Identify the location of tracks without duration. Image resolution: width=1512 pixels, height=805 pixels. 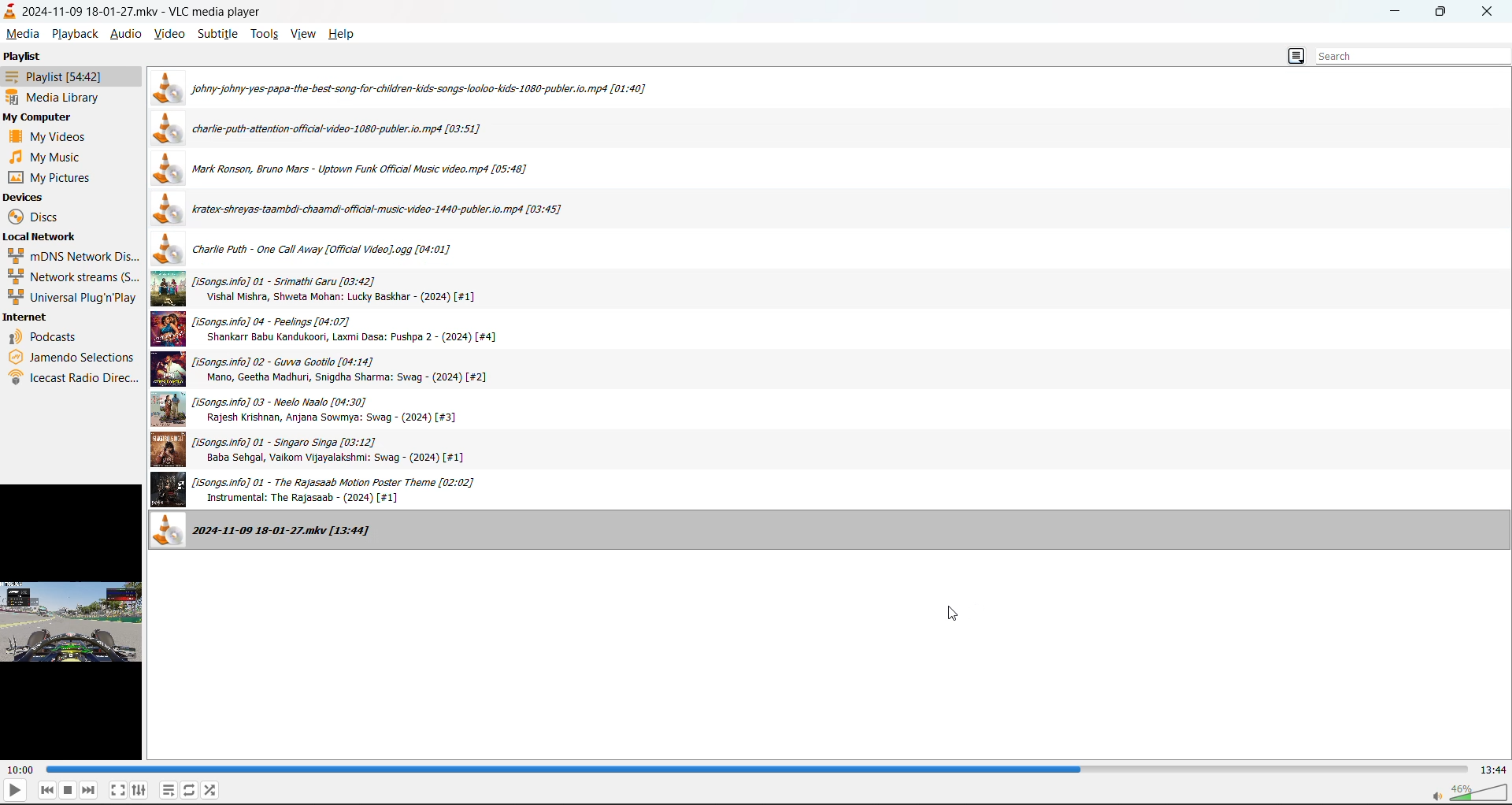
(359, 211).